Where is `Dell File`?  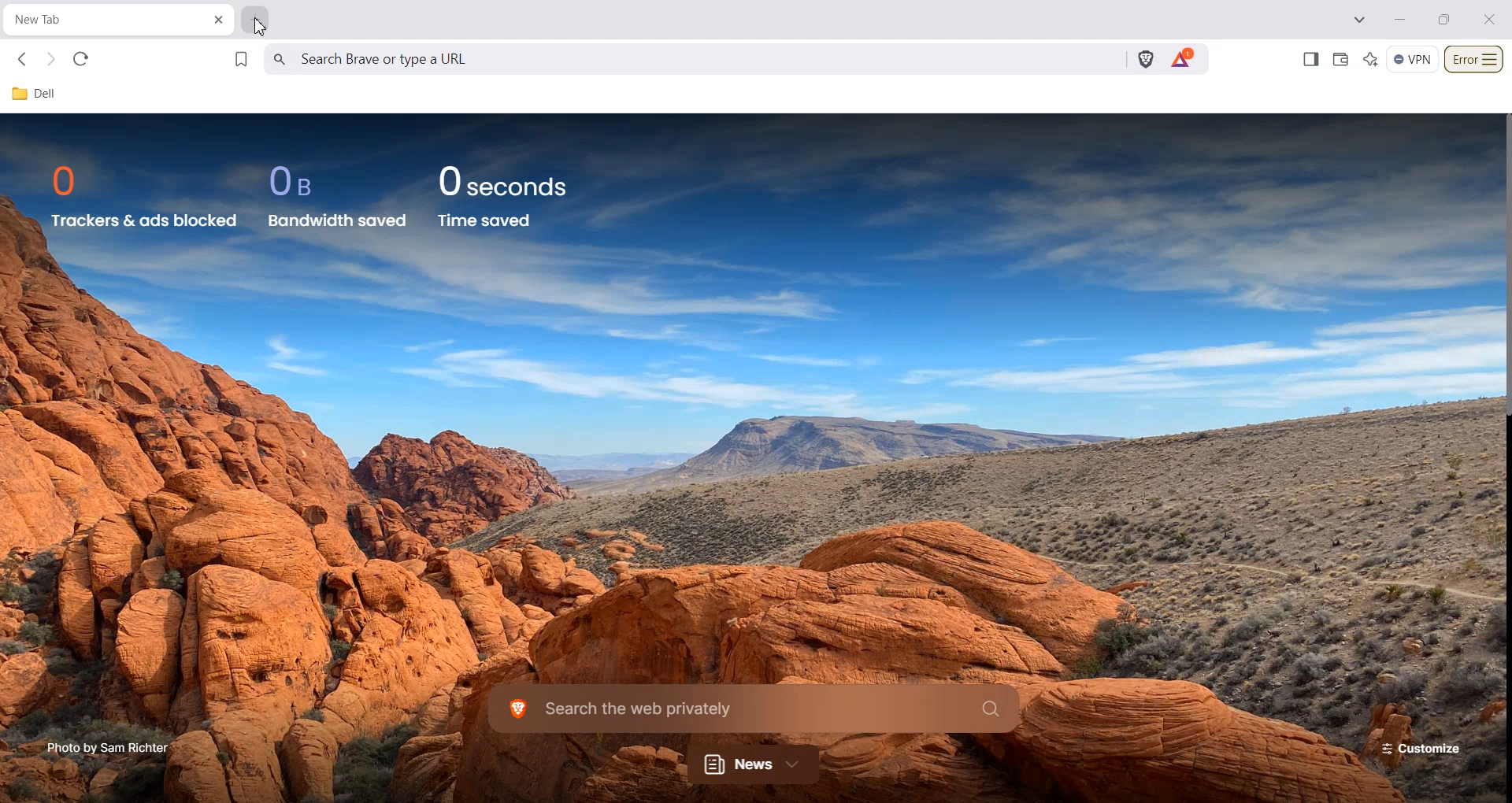
Dell File is located at coordinates (40, 94).